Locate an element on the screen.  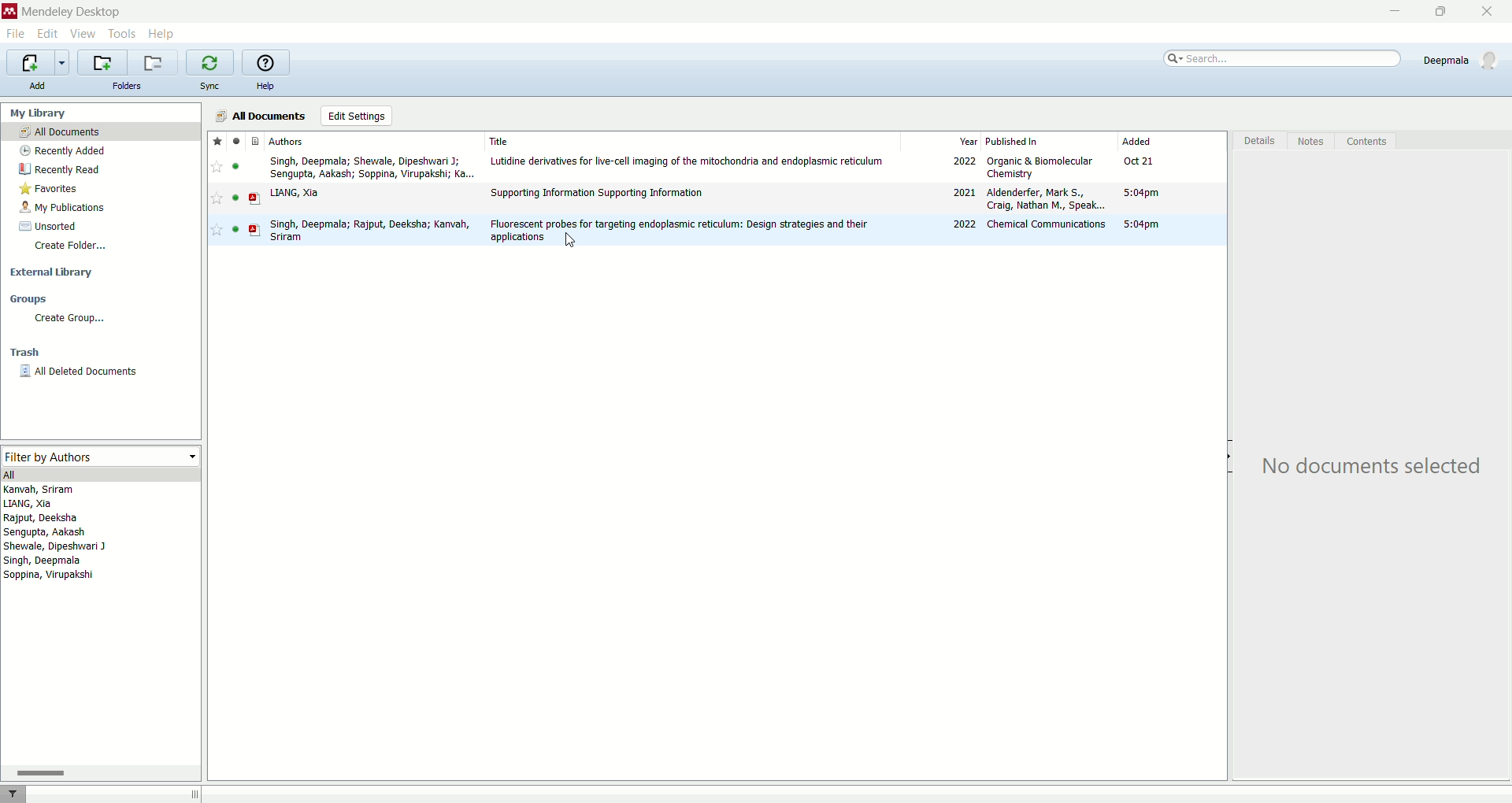
search is located at coordinates (1280, 62).